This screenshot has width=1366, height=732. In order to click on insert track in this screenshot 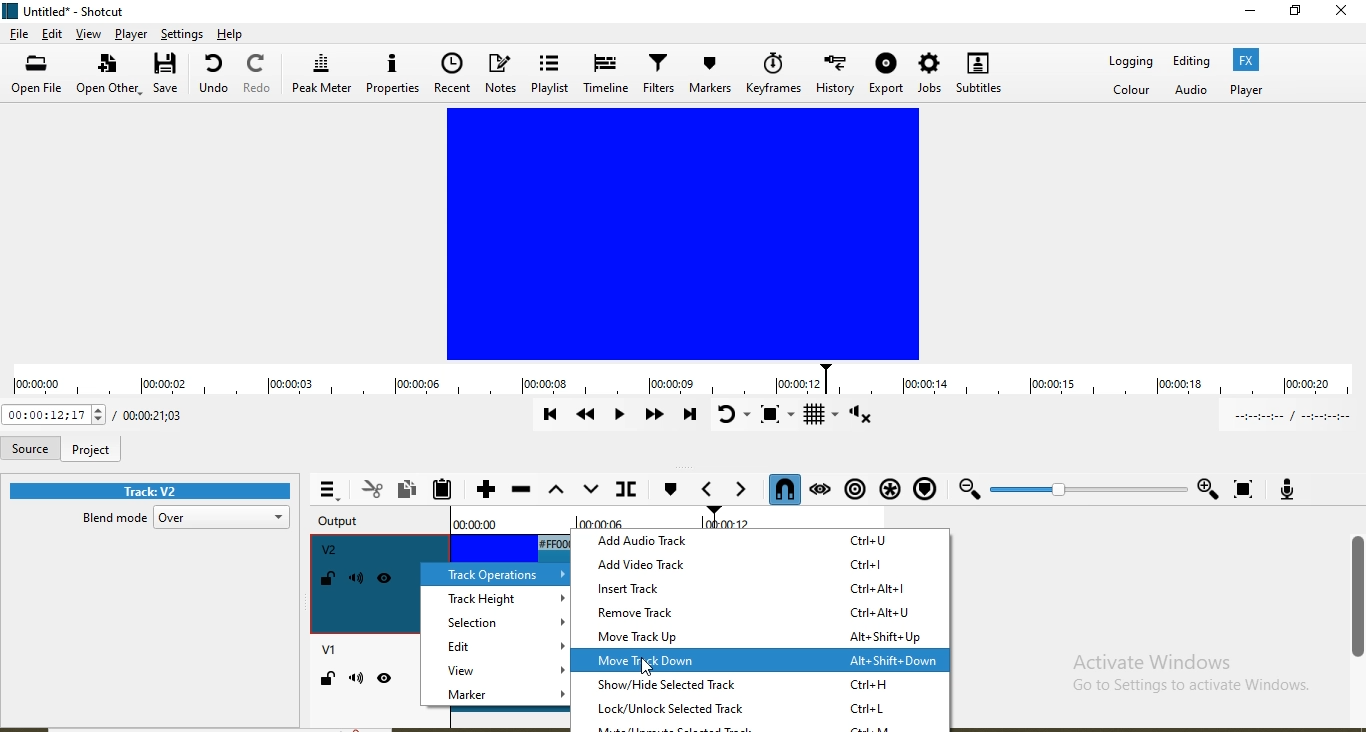, I will do `click(761, 586)`.